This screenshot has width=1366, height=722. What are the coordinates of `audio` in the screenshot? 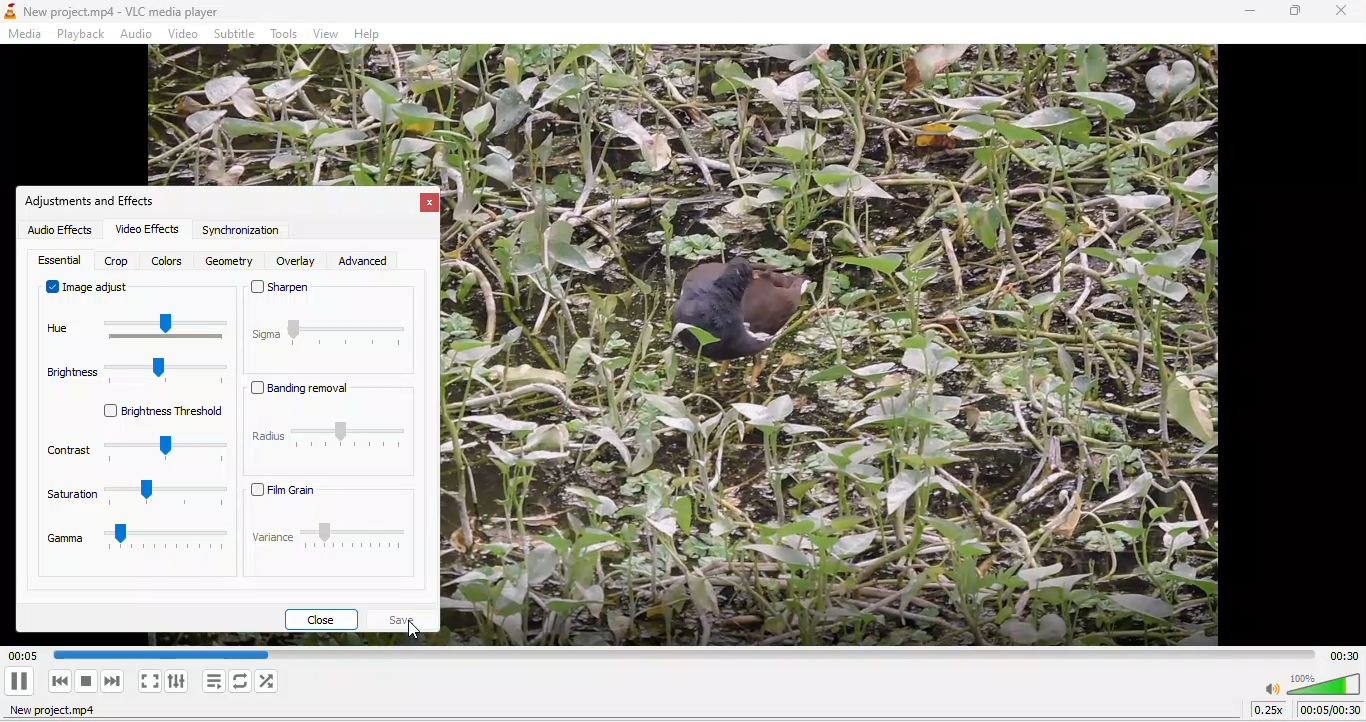 It's located at (139, 34).